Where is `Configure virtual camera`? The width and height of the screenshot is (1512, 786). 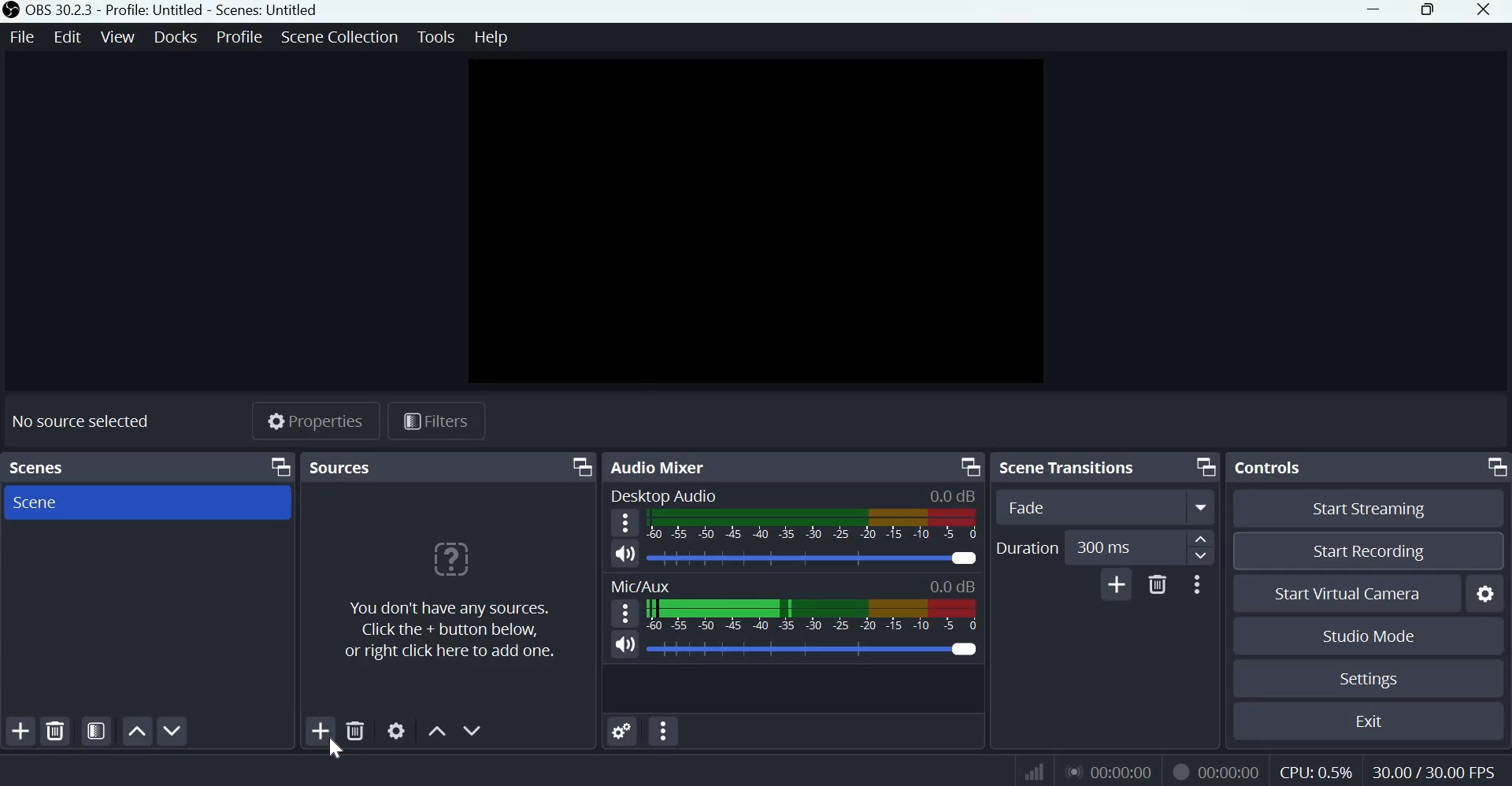
Configure virtual camera is located at coordinates (1486, 591).